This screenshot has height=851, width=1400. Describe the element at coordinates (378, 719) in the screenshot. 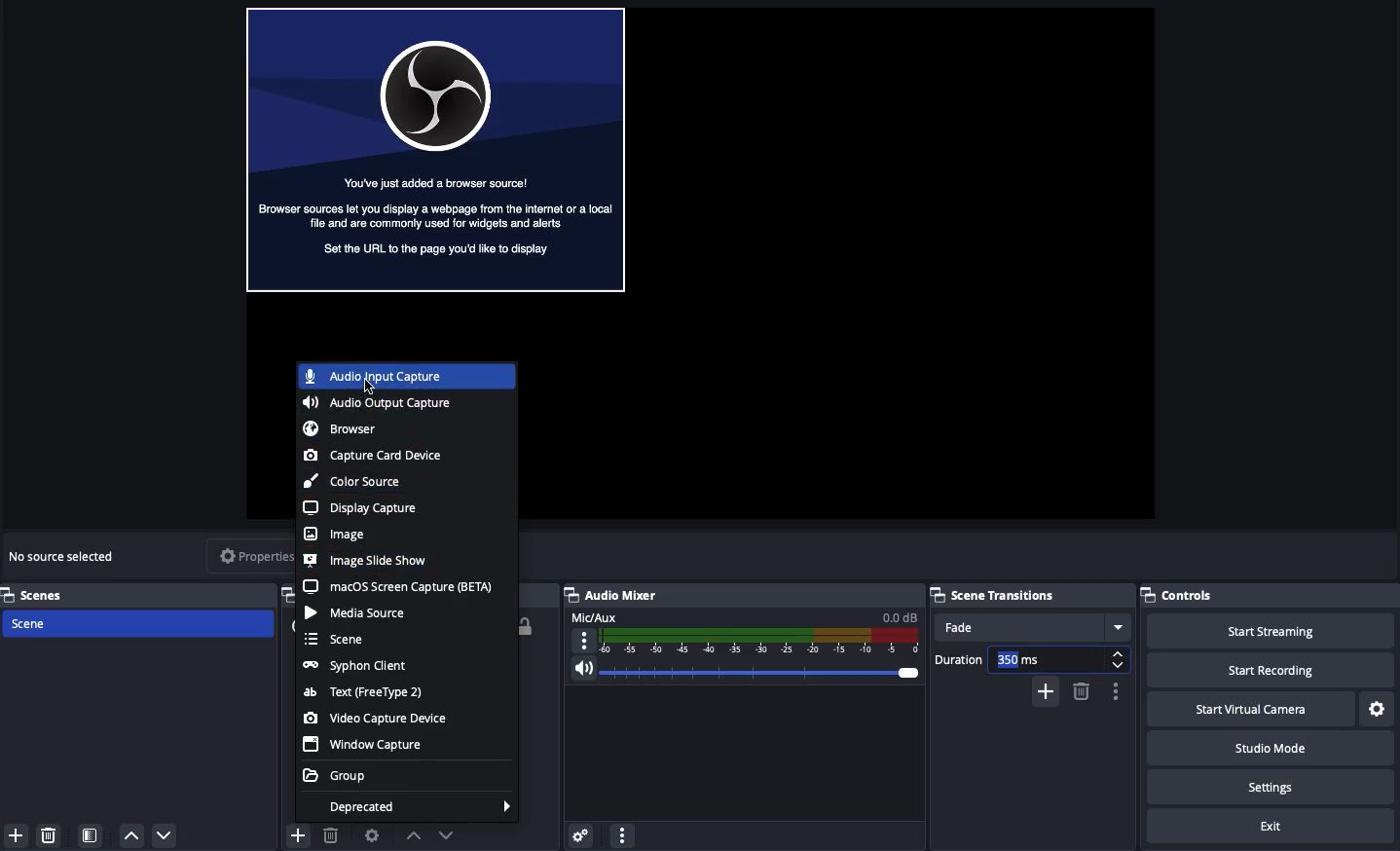

I see `Video capture device` at that location.